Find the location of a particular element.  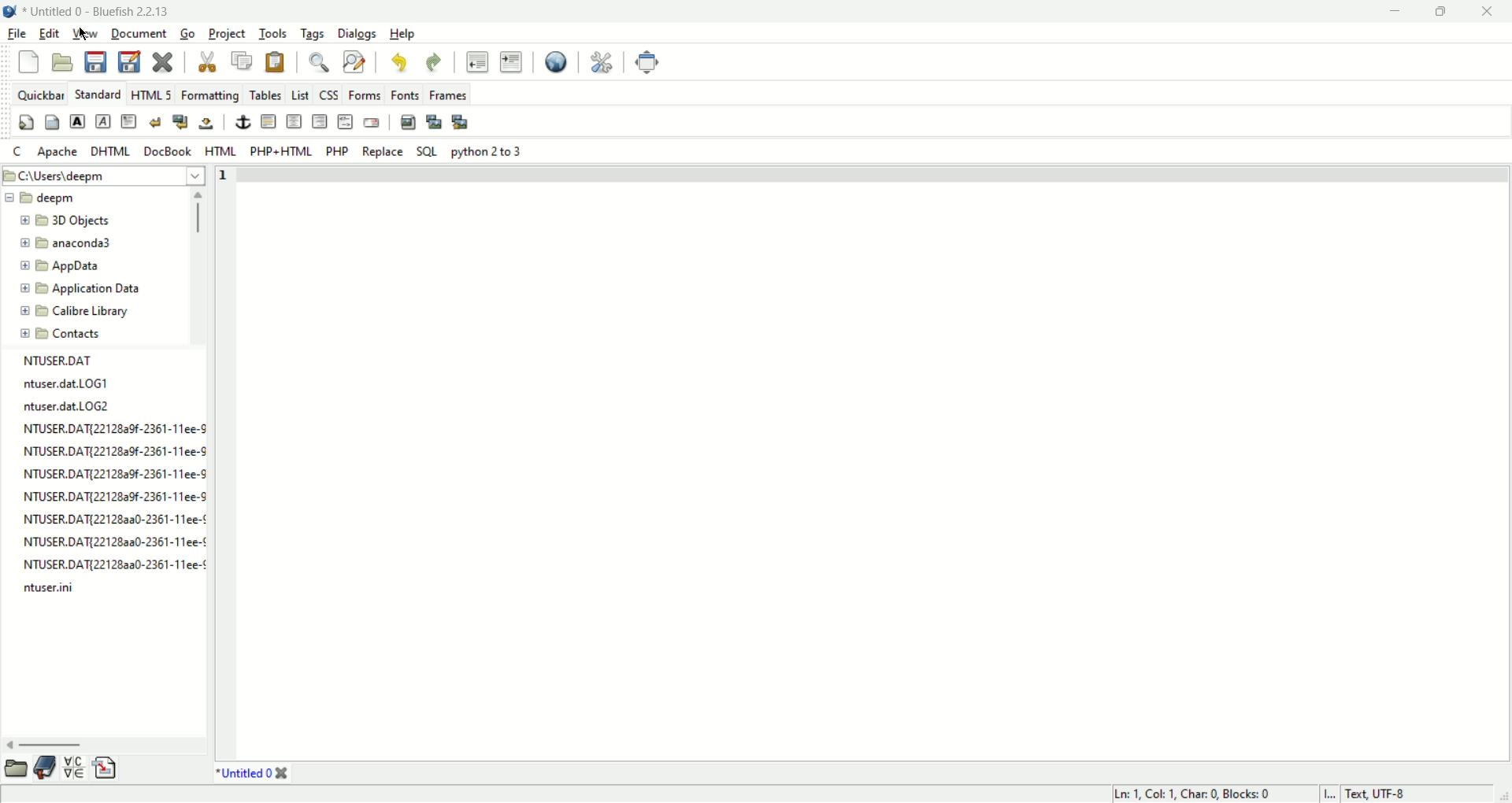

application is located at coordinates (80, 289).